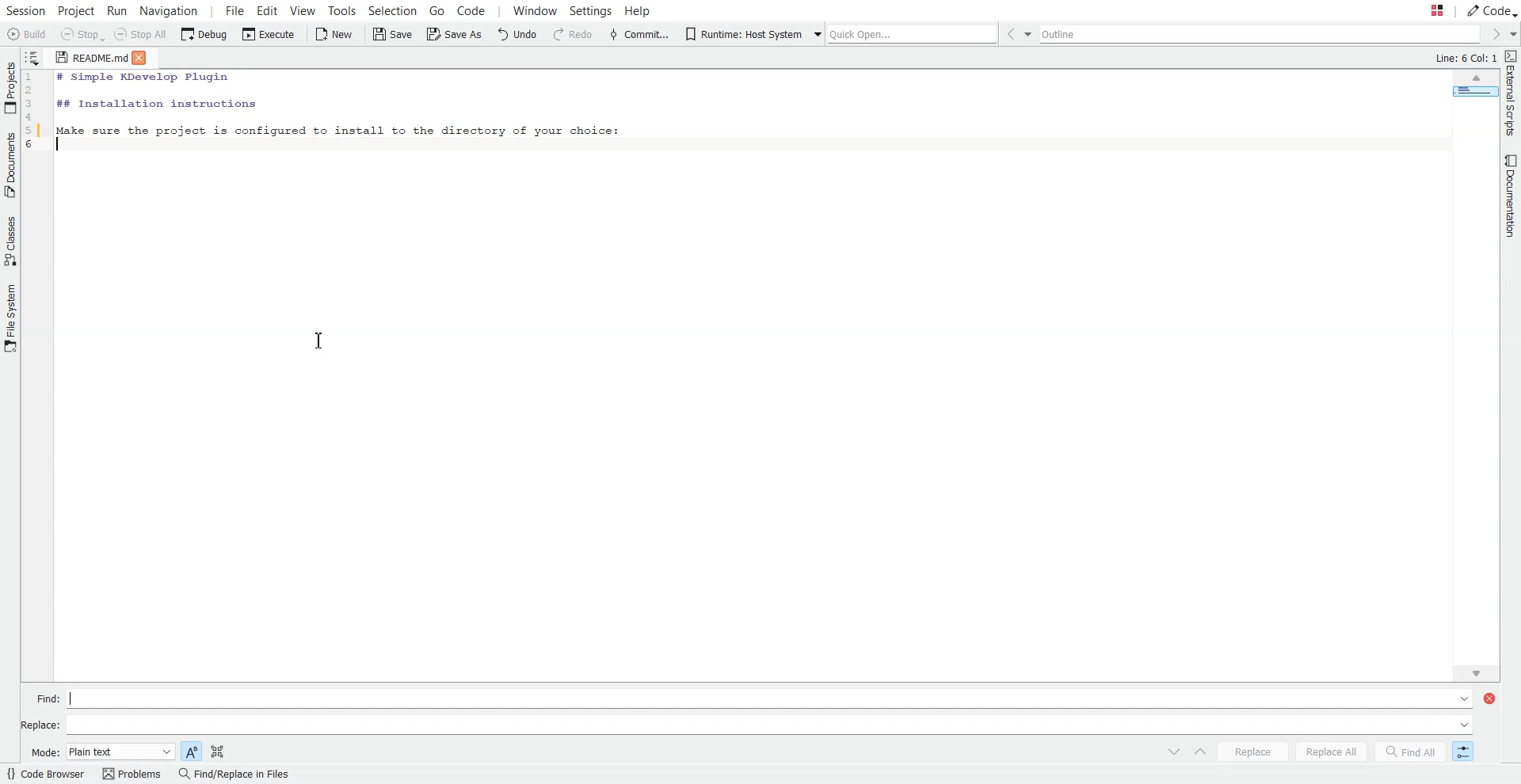 The height and width of the screenshot is (784, 1521). I want to click on Switch to Incremental, so click(1460, 752).